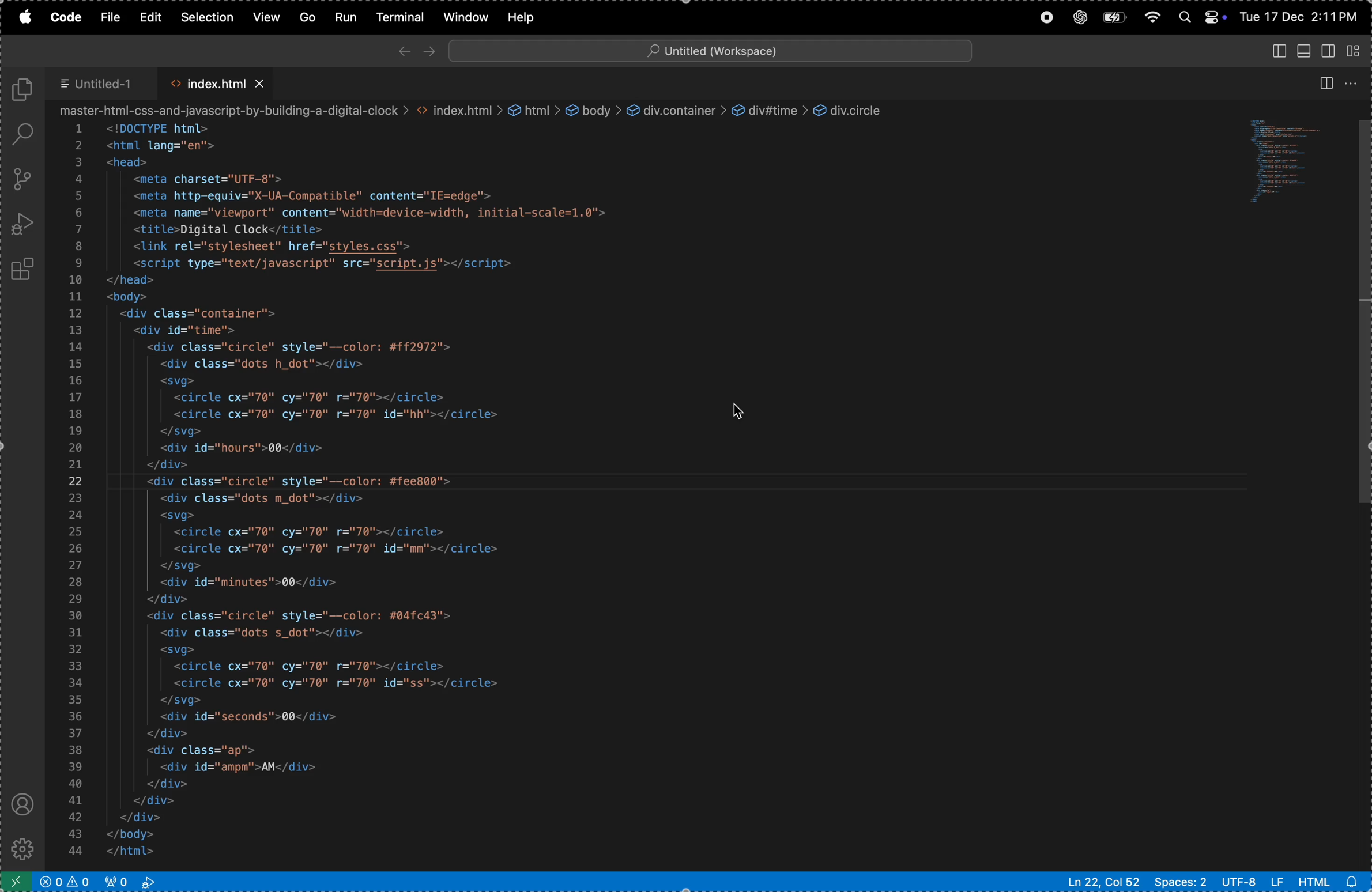 This screenshot has height=892, width=1372. I want to click on forward, so click(430, 53).